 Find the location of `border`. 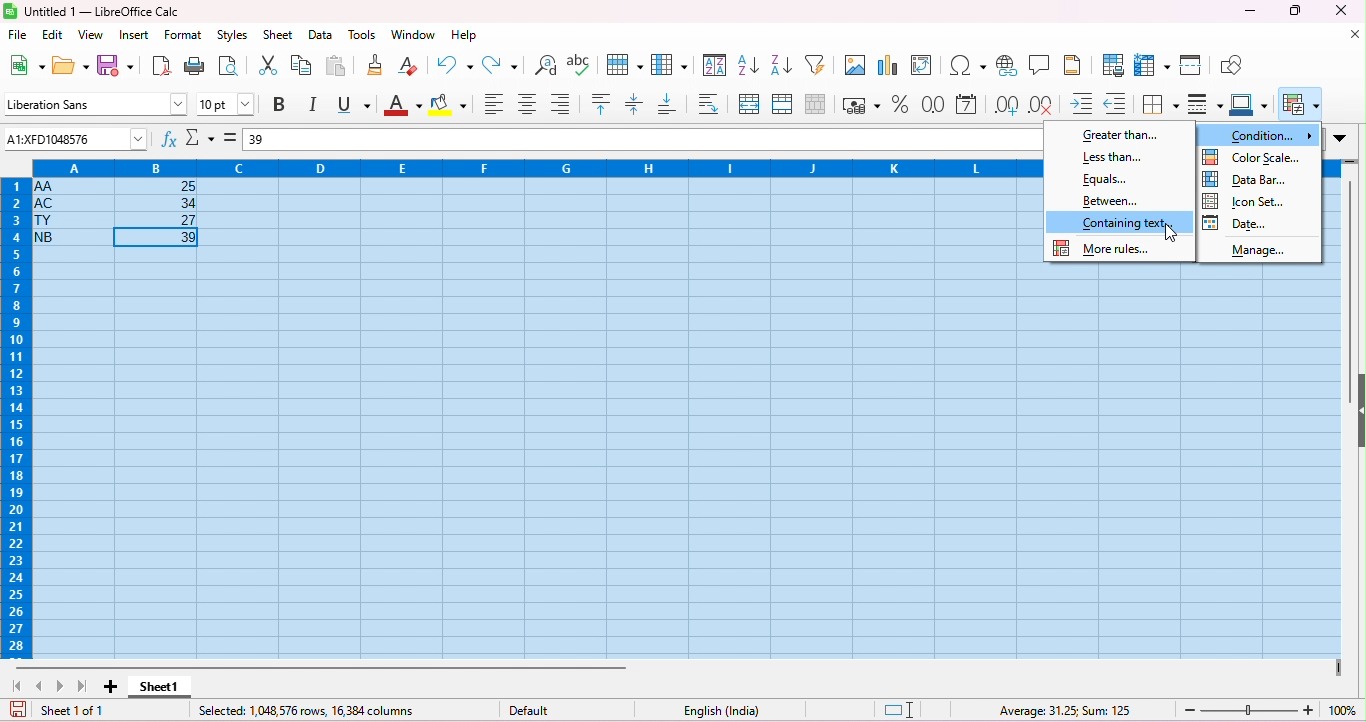

border is located at coordinates (1160, 105).